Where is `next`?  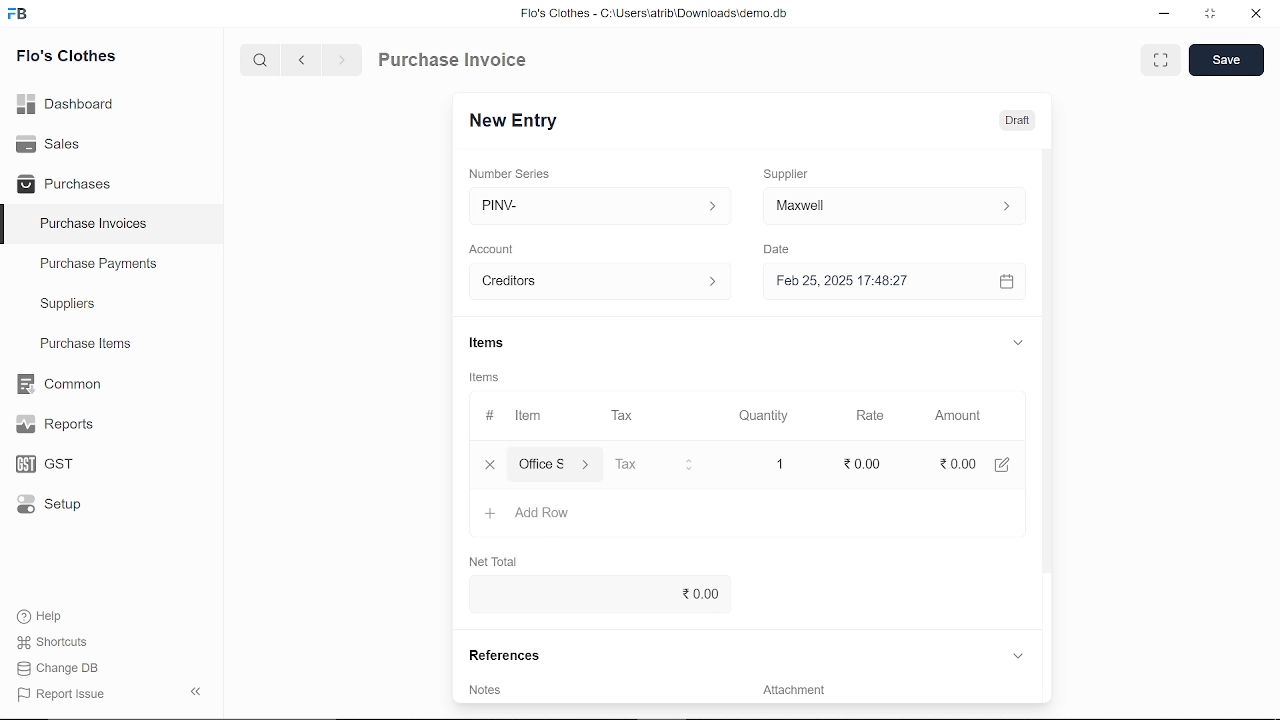
next is located at coordinates (342, 63).